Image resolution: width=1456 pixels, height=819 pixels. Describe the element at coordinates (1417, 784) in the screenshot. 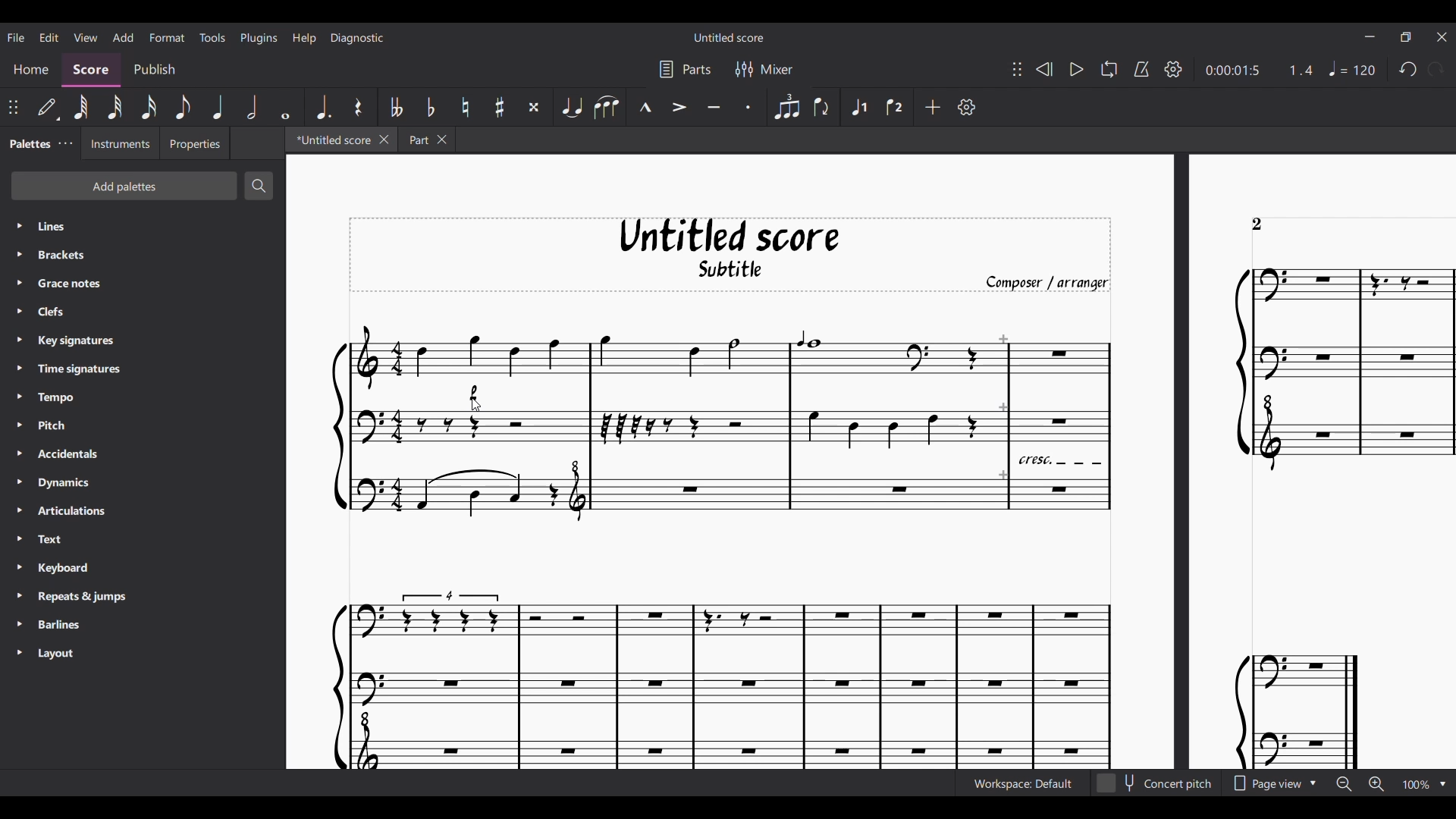

I see `Zoom factor` at that location.